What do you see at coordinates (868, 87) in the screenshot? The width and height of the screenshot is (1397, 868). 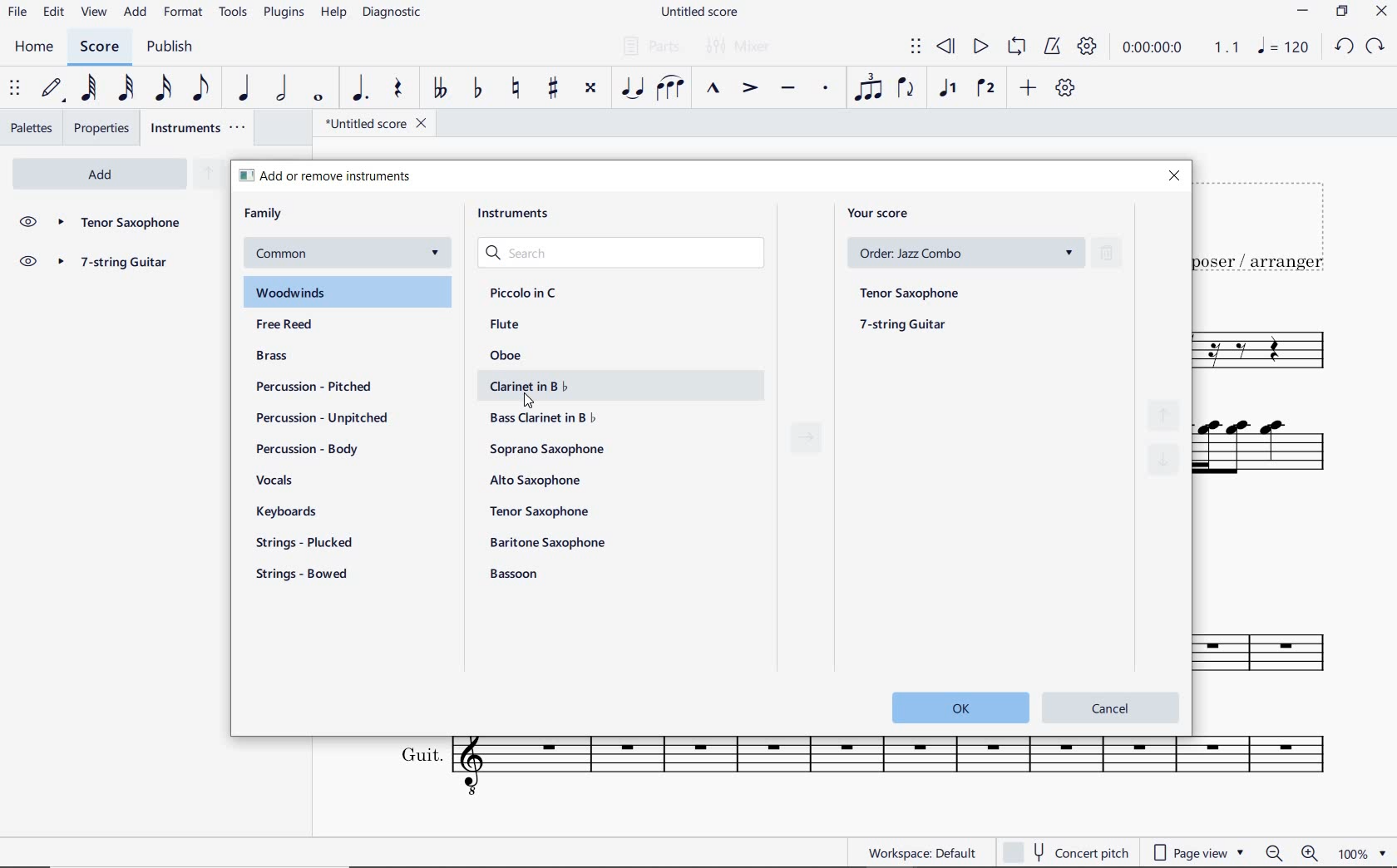 I see `TUPLET` at bounding box center [868, 87].